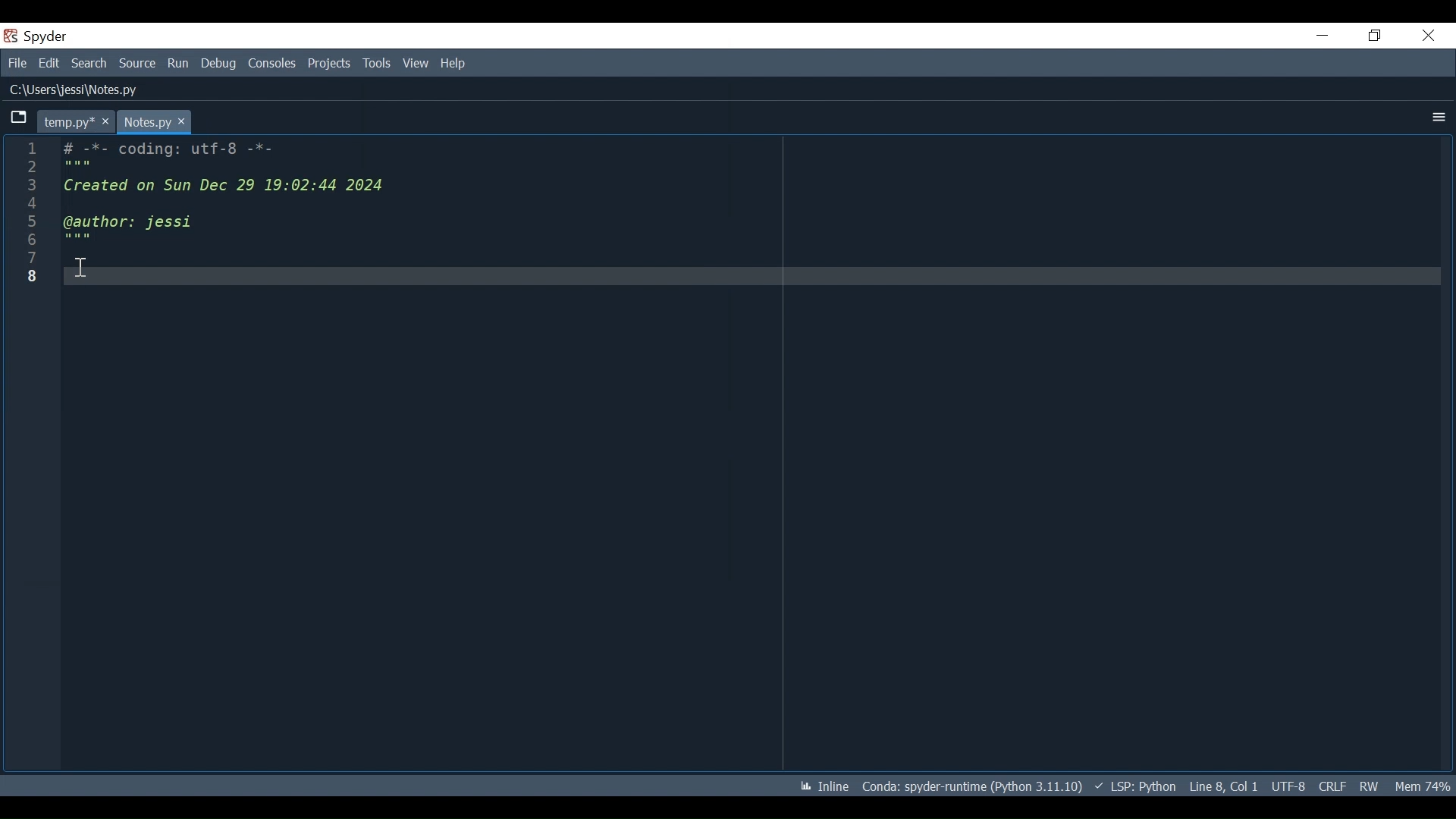  What do you see at coordinates (416, 64) in the screenshot?
I see `View` at bounding box center [416, 64].